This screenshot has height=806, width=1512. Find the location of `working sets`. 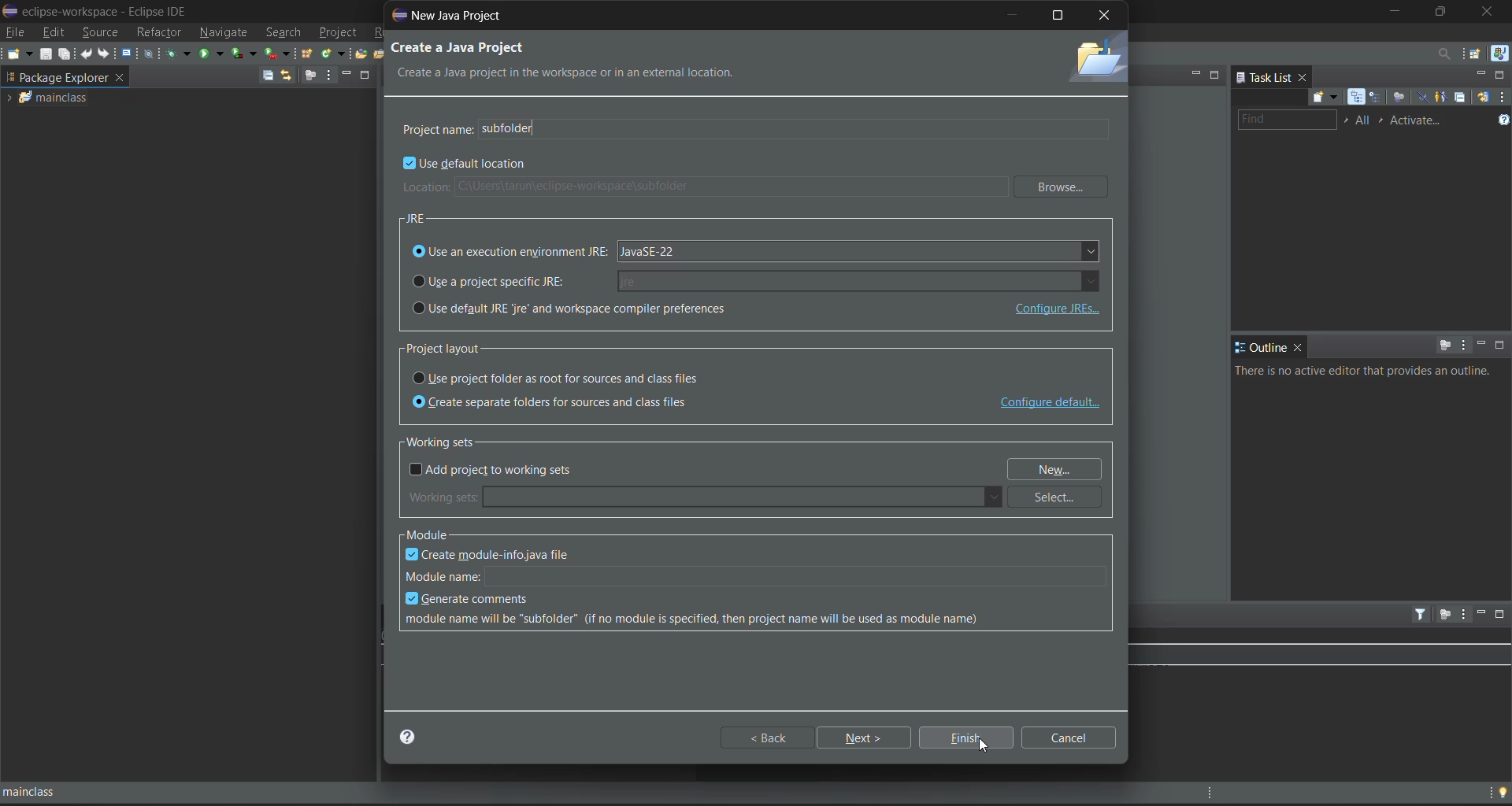

working sets is located at coordinates (448, 441).